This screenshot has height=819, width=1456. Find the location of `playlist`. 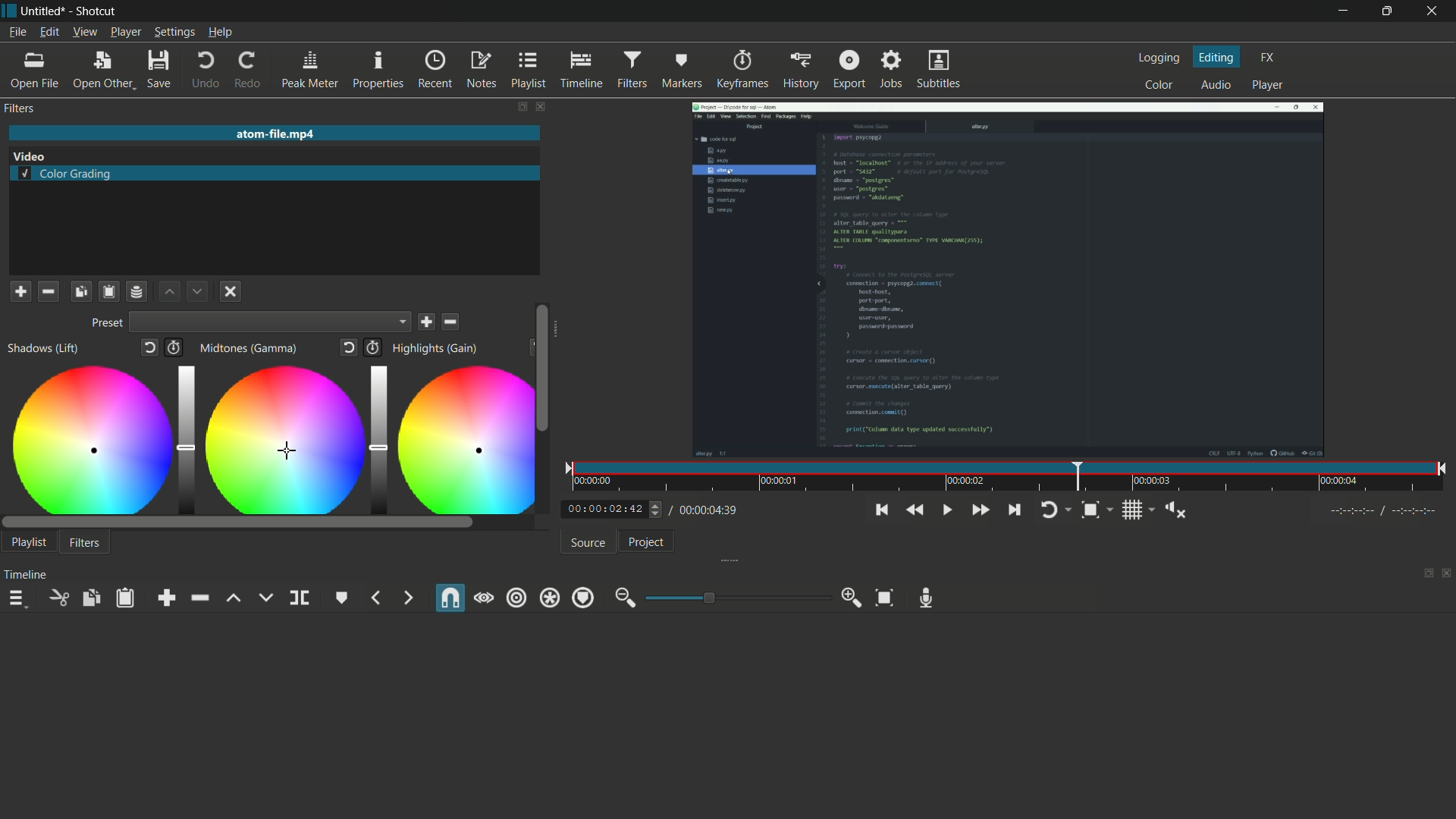

playlist is located at coordinates (29, 541).